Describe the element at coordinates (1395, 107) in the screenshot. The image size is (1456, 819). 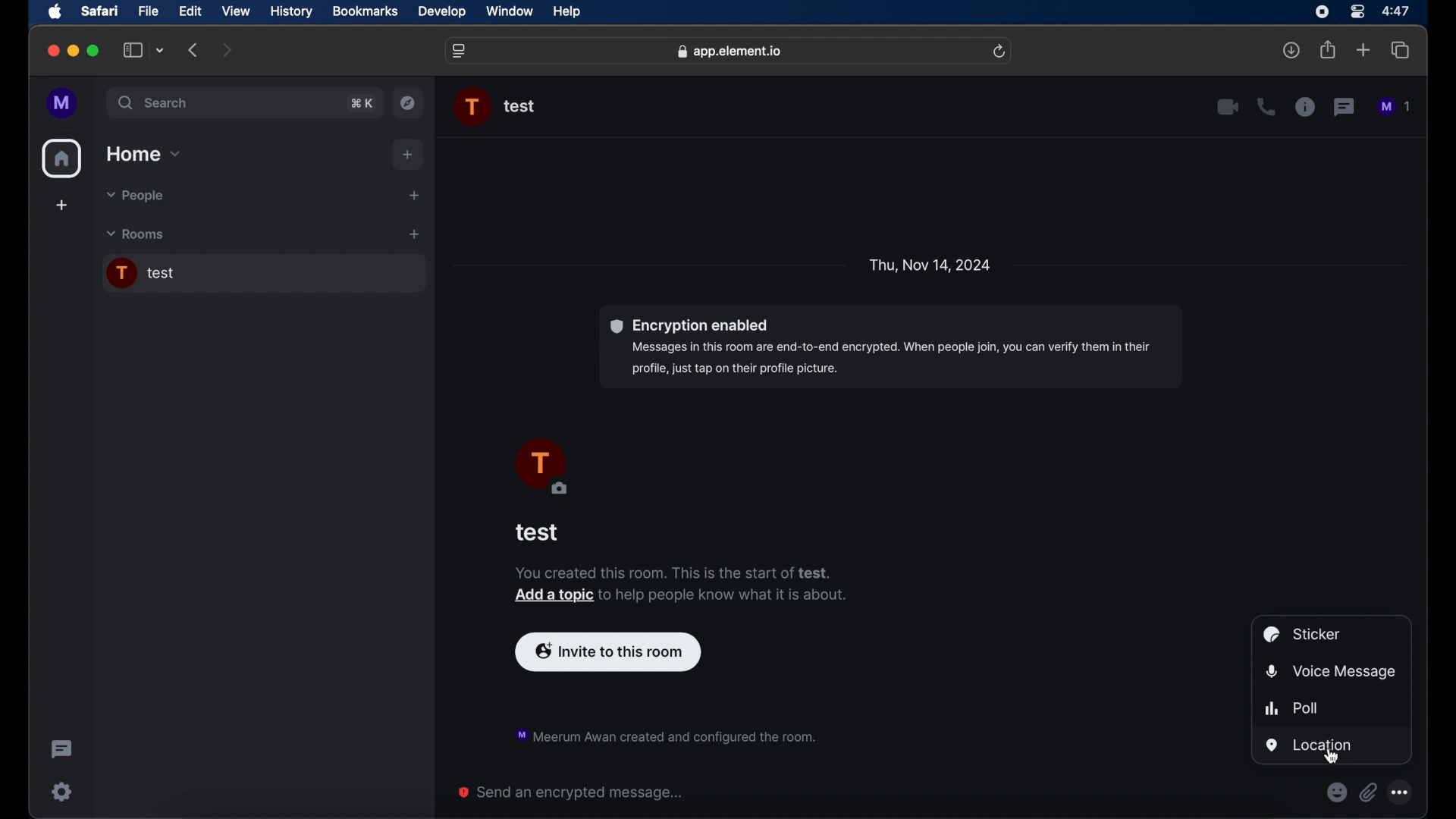
I see `messages` at that location.